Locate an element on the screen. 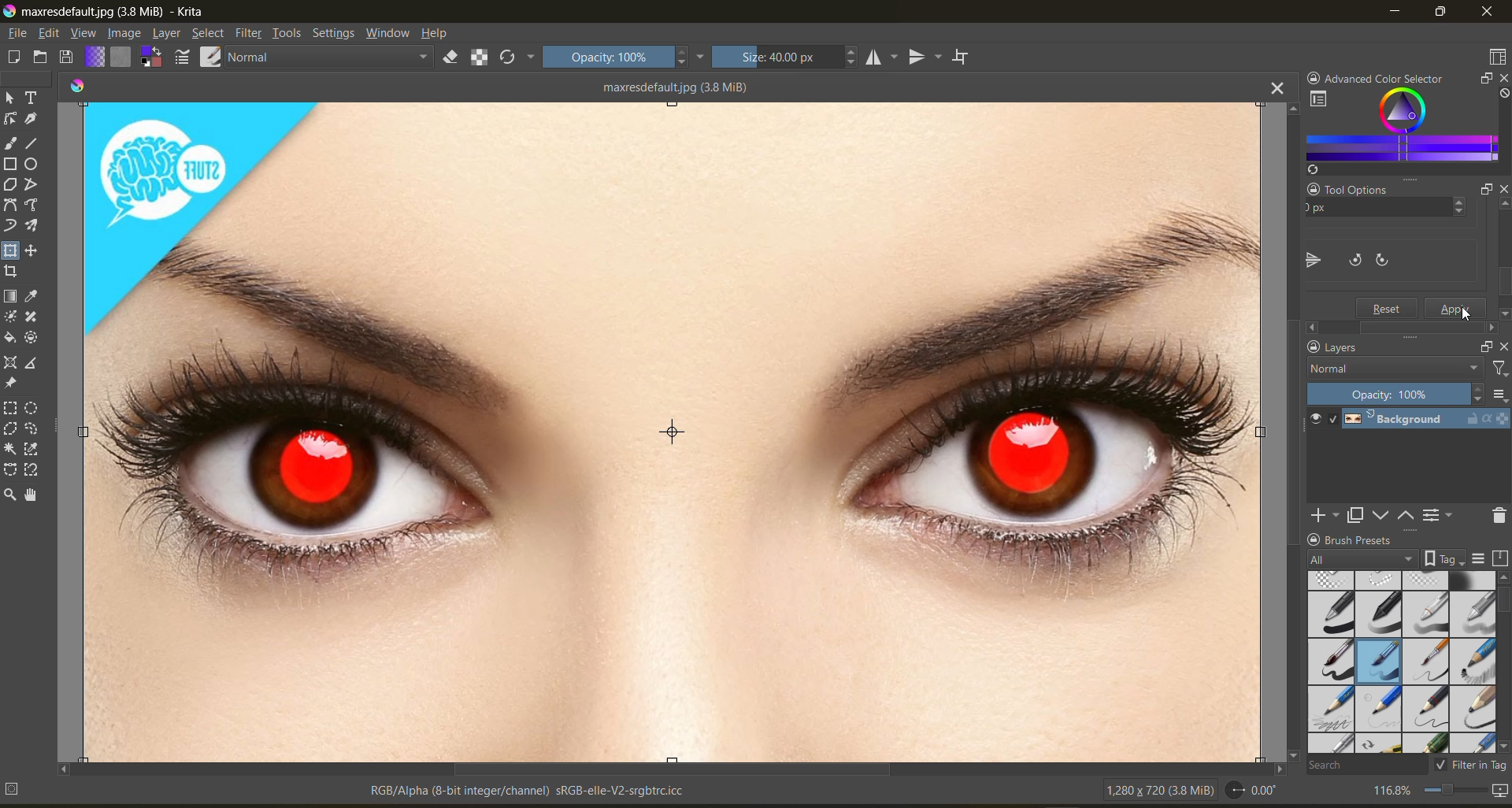 The width and height of the screenshot is (1512, 808). filter is located at coordinates (1498, 369).